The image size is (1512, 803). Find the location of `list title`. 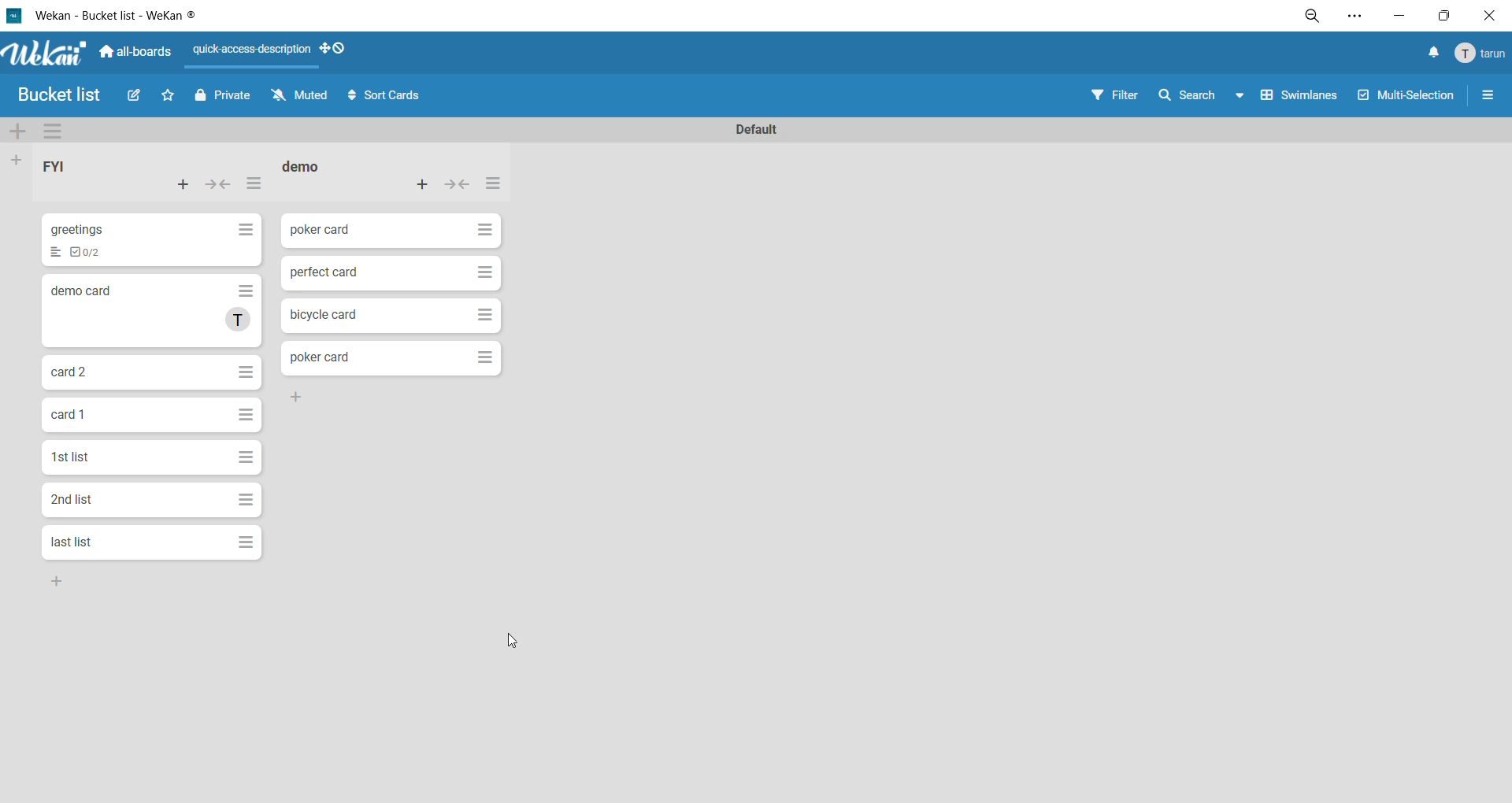

list title is located at coordinates (66, 169).